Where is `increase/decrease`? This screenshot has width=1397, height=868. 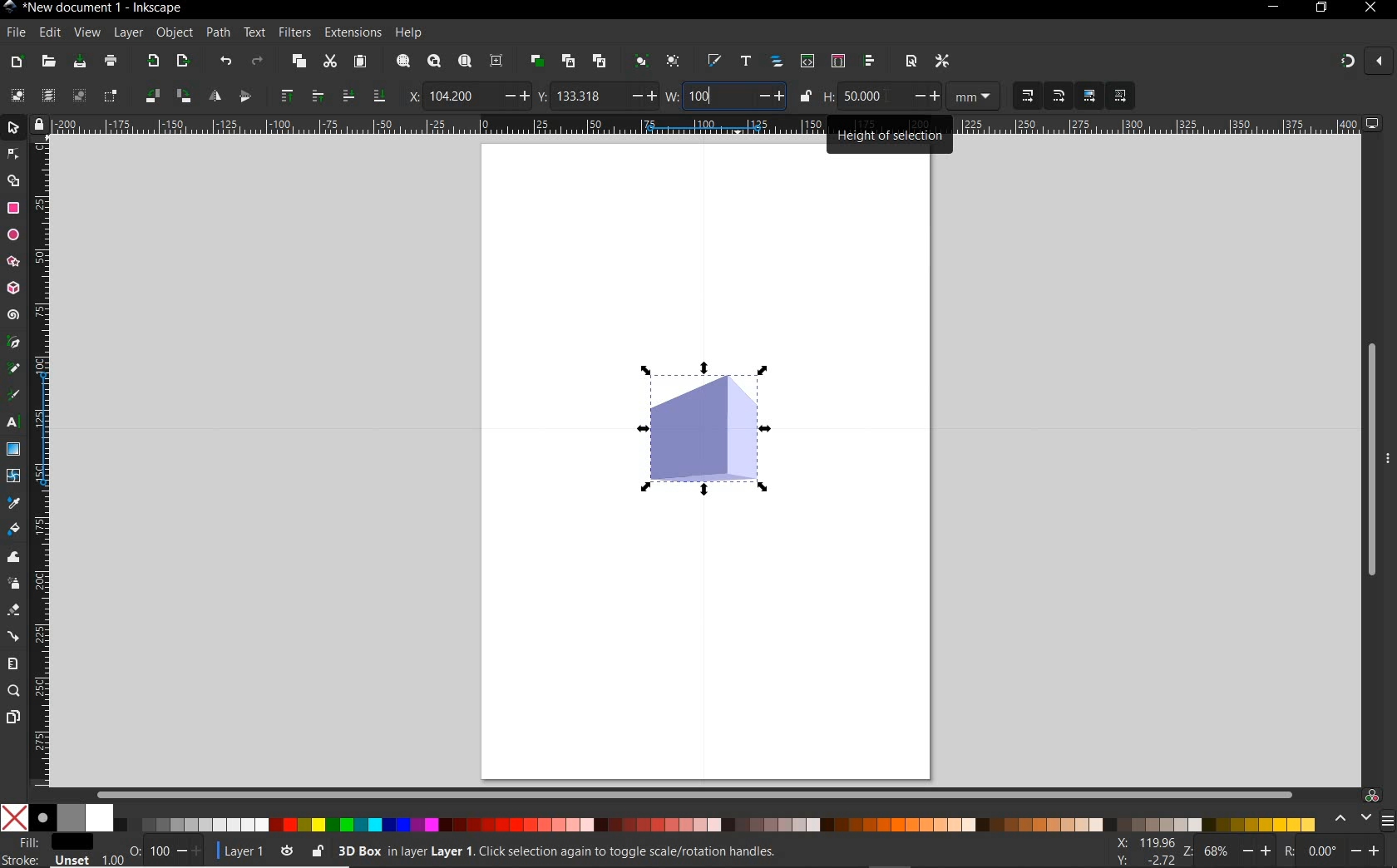
increase/decrease is located at coordinates (926, 96).